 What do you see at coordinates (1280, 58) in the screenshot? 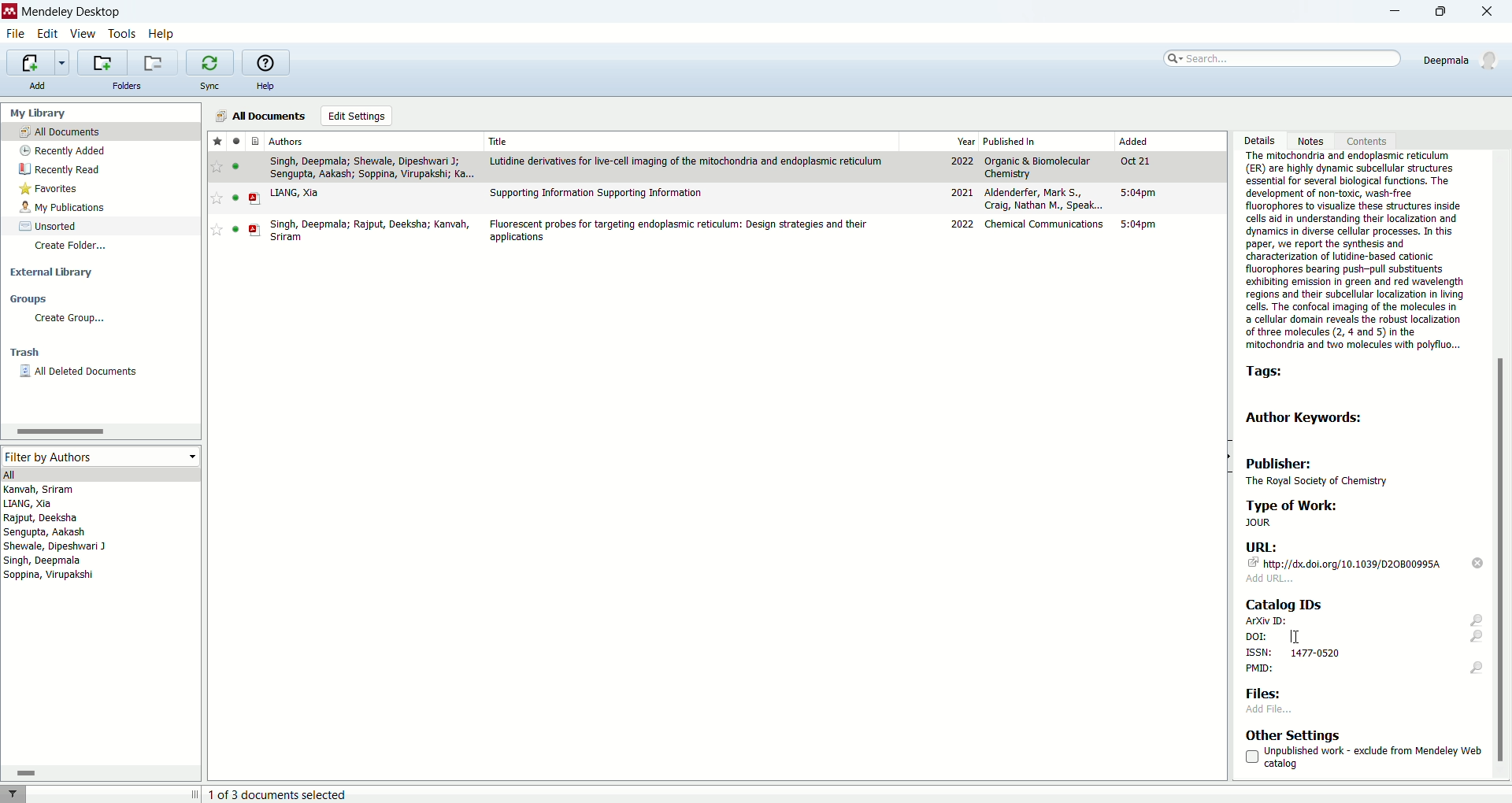
I see `search` at bounding box center [1280, 58].